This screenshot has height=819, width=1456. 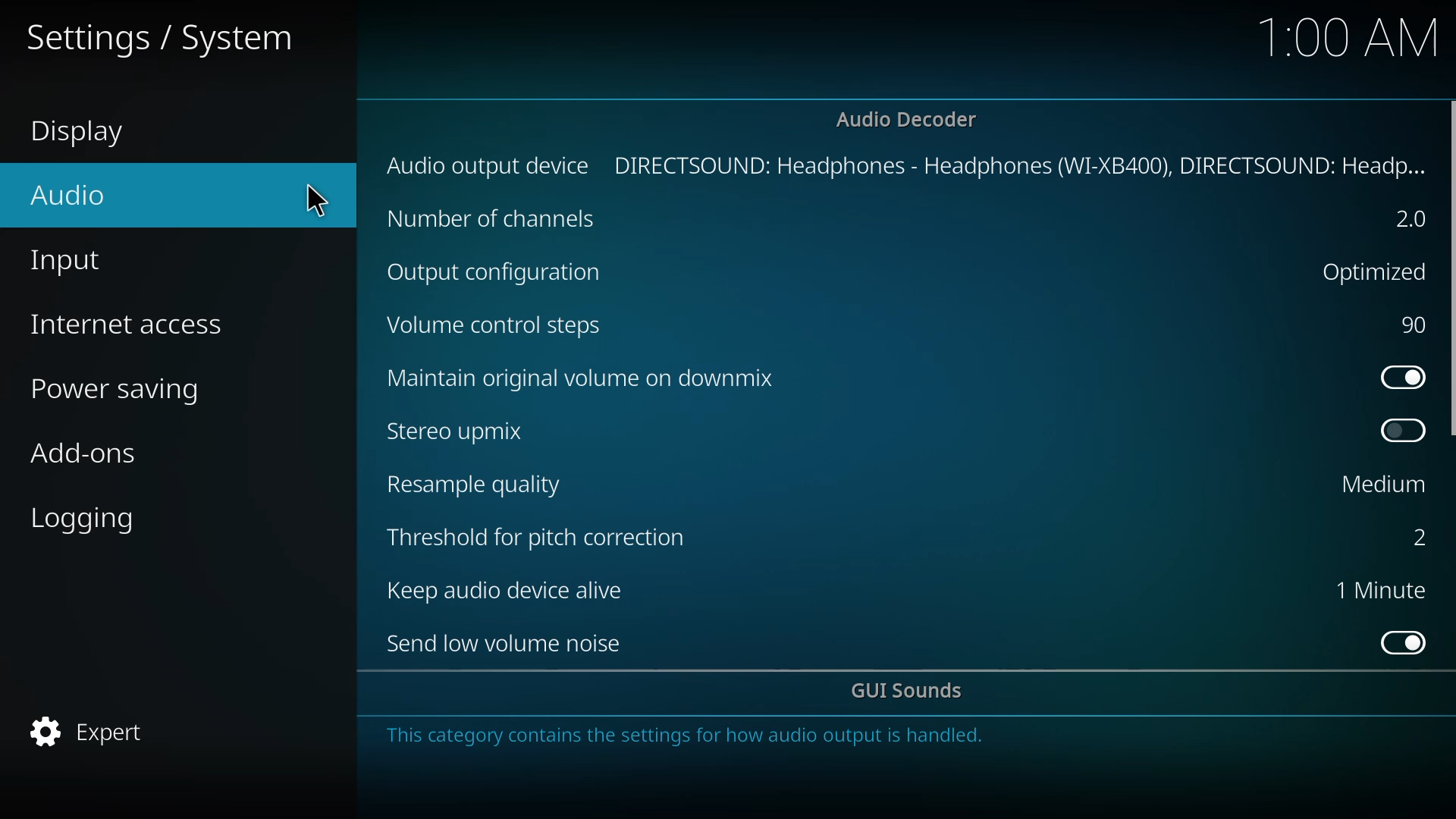 What do you see at coordinates (128, 385) in the screenshot?
I see `power` at bounding box center [128, 385].